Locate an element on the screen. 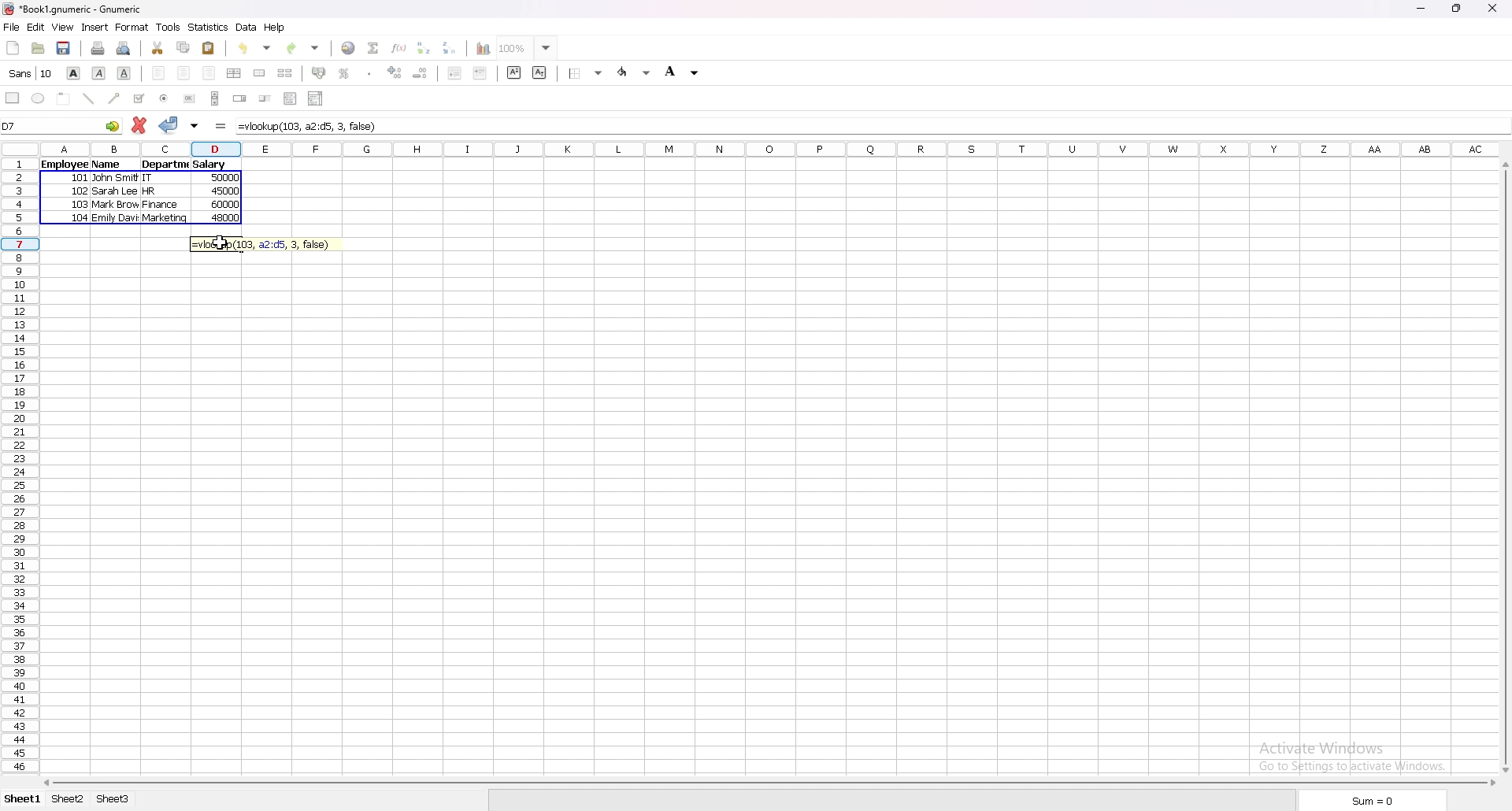  accounting is located at coordinates (320, 72).